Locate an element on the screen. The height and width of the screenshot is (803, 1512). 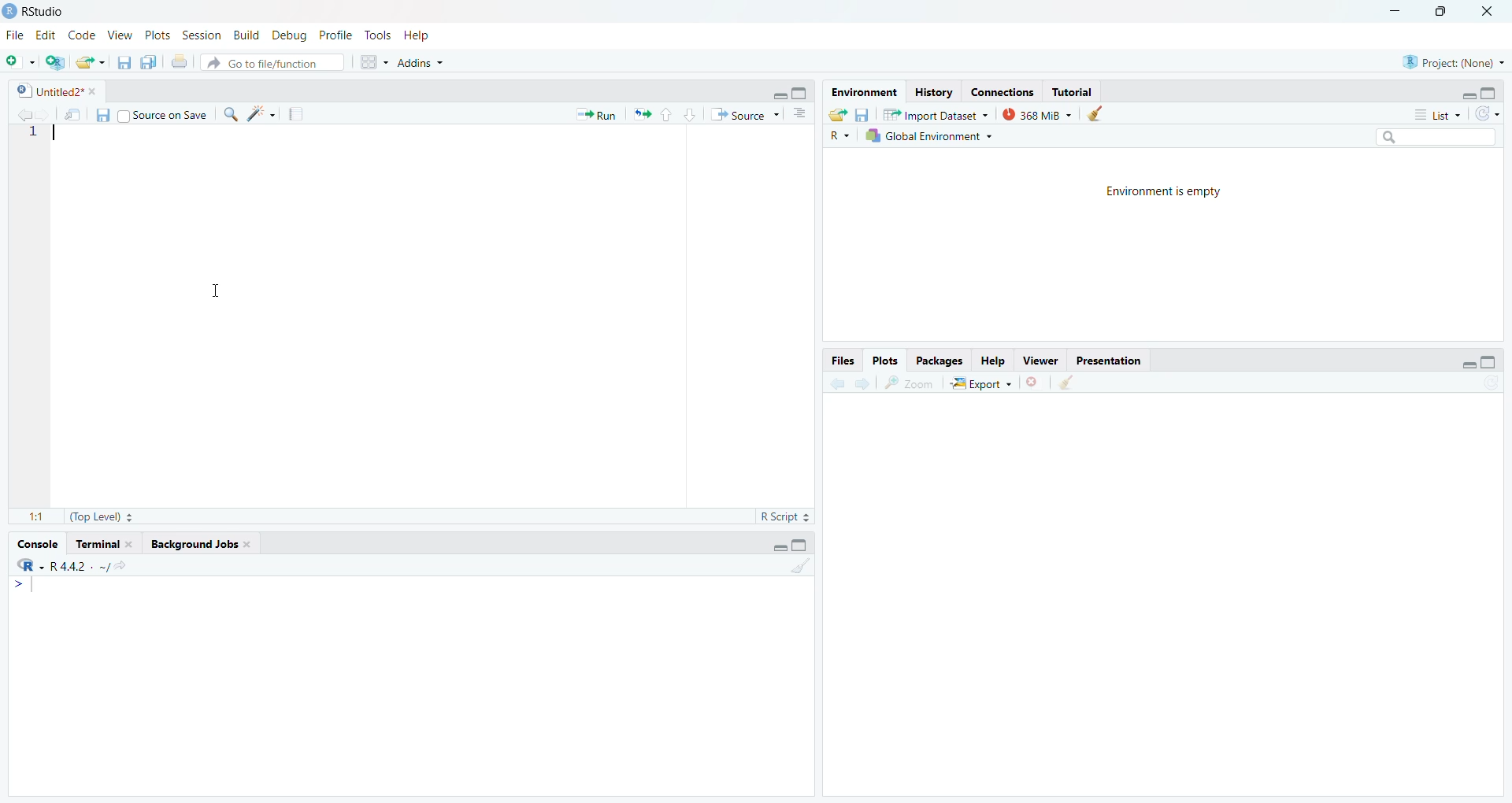
| Debug is located at coordinates (291, 36).